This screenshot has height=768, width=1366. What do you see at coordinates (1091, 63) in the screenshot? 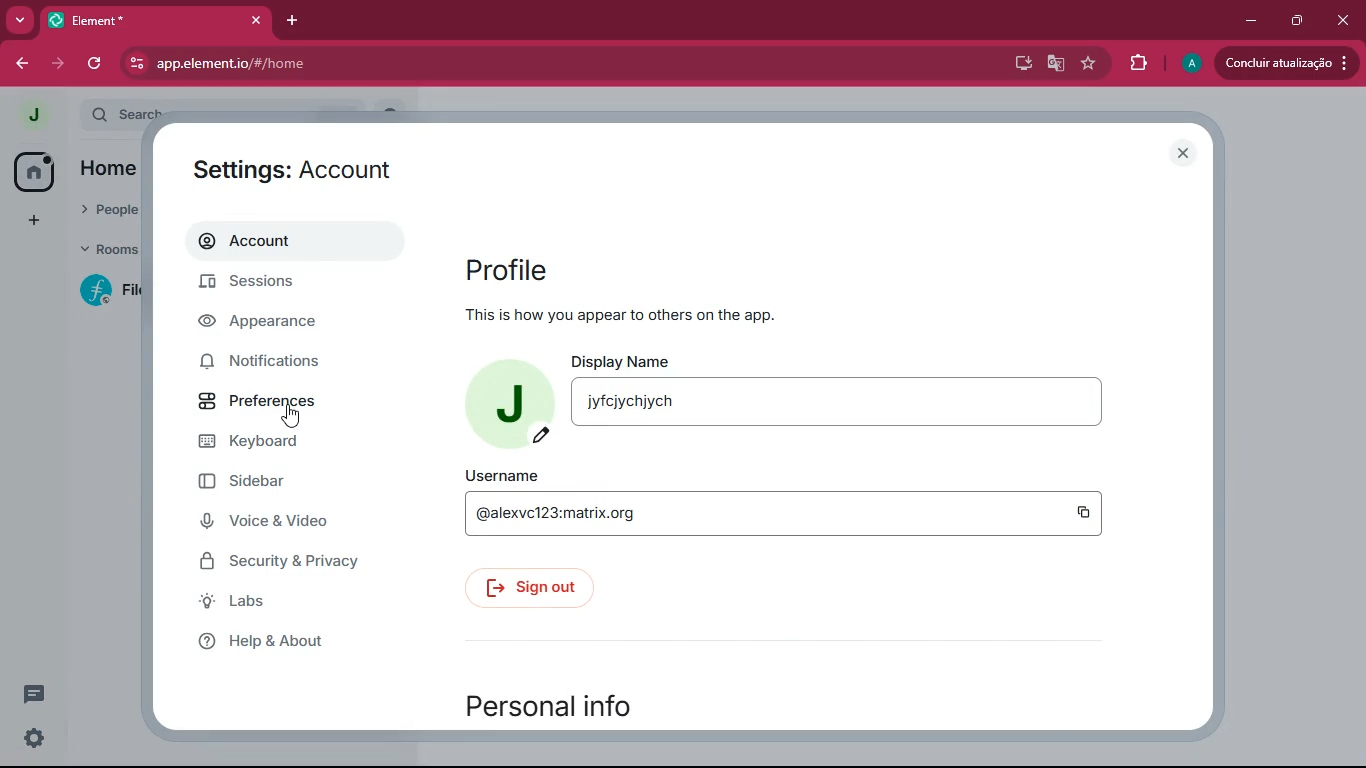
I see `favourite` at bounding box center [1091, 63].